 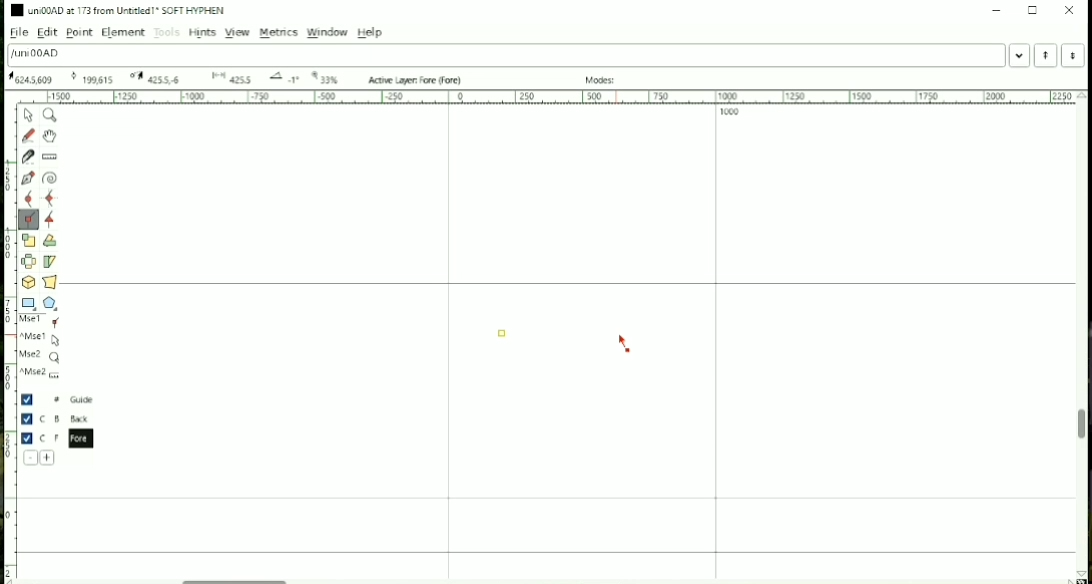 What do you see at coordinates (51, 157) in the screenshot?
I see `Measure distance, angle between points` at bounding box center [51, 157].